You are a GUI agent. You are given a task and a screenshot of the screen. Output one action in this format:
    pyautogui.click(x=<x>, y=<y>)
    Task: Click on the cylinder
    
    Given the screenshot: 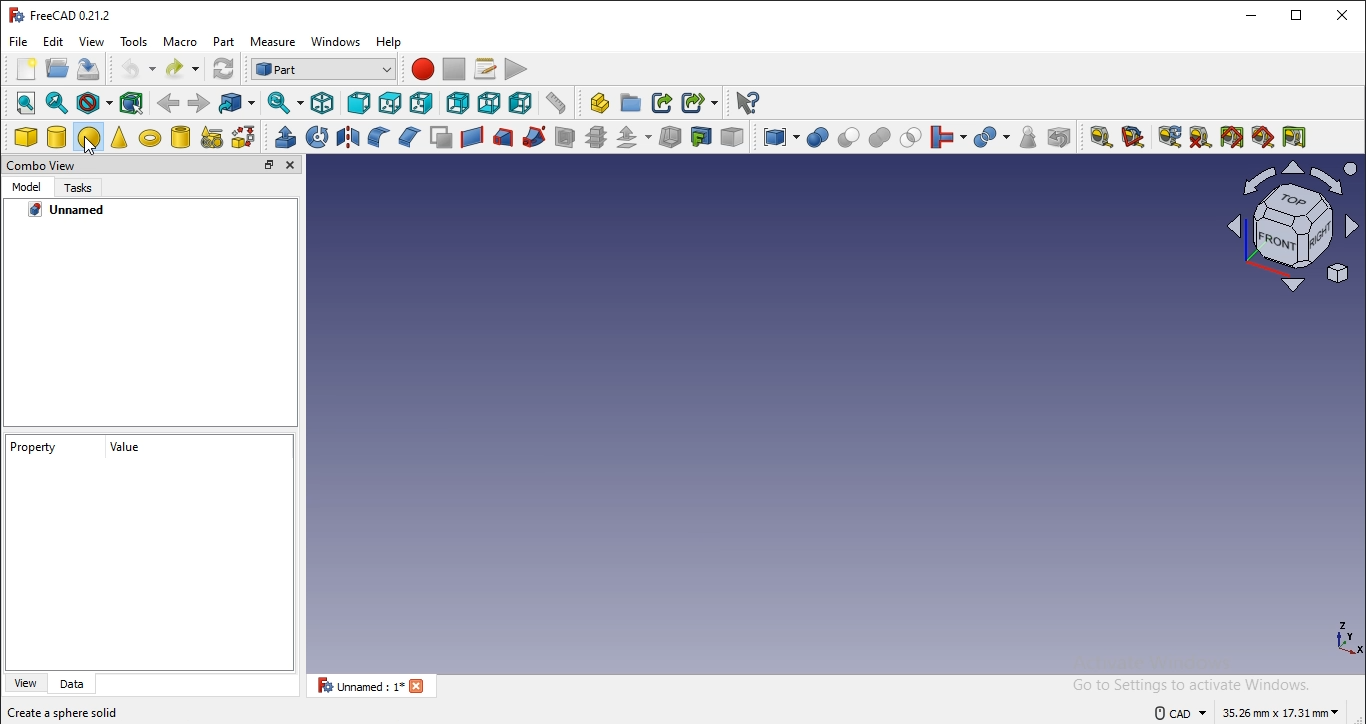 What is the action you would take?
    pyautogui.click(x=56, y=136)
    